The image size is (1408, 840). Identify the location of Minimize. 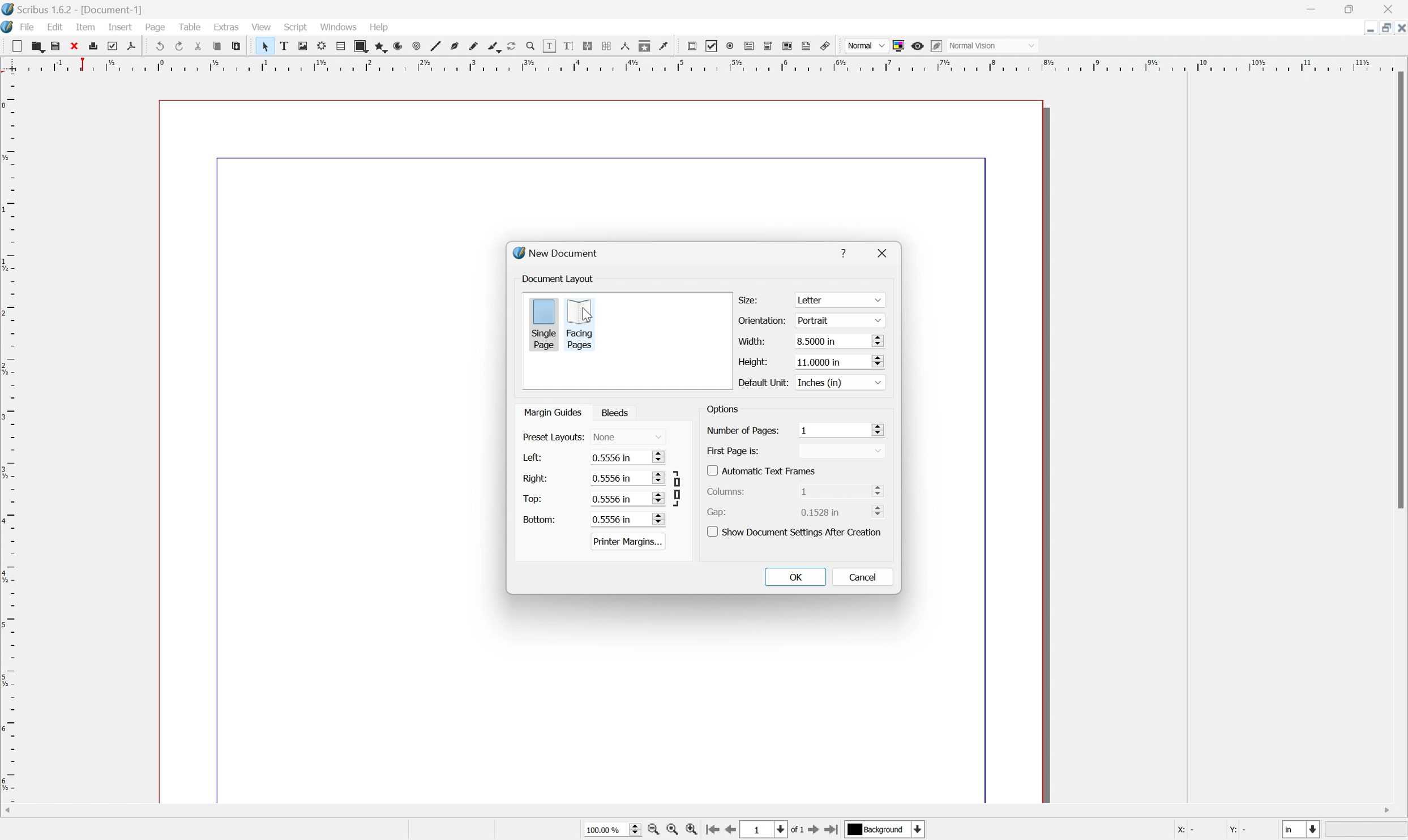
(1315, 8).